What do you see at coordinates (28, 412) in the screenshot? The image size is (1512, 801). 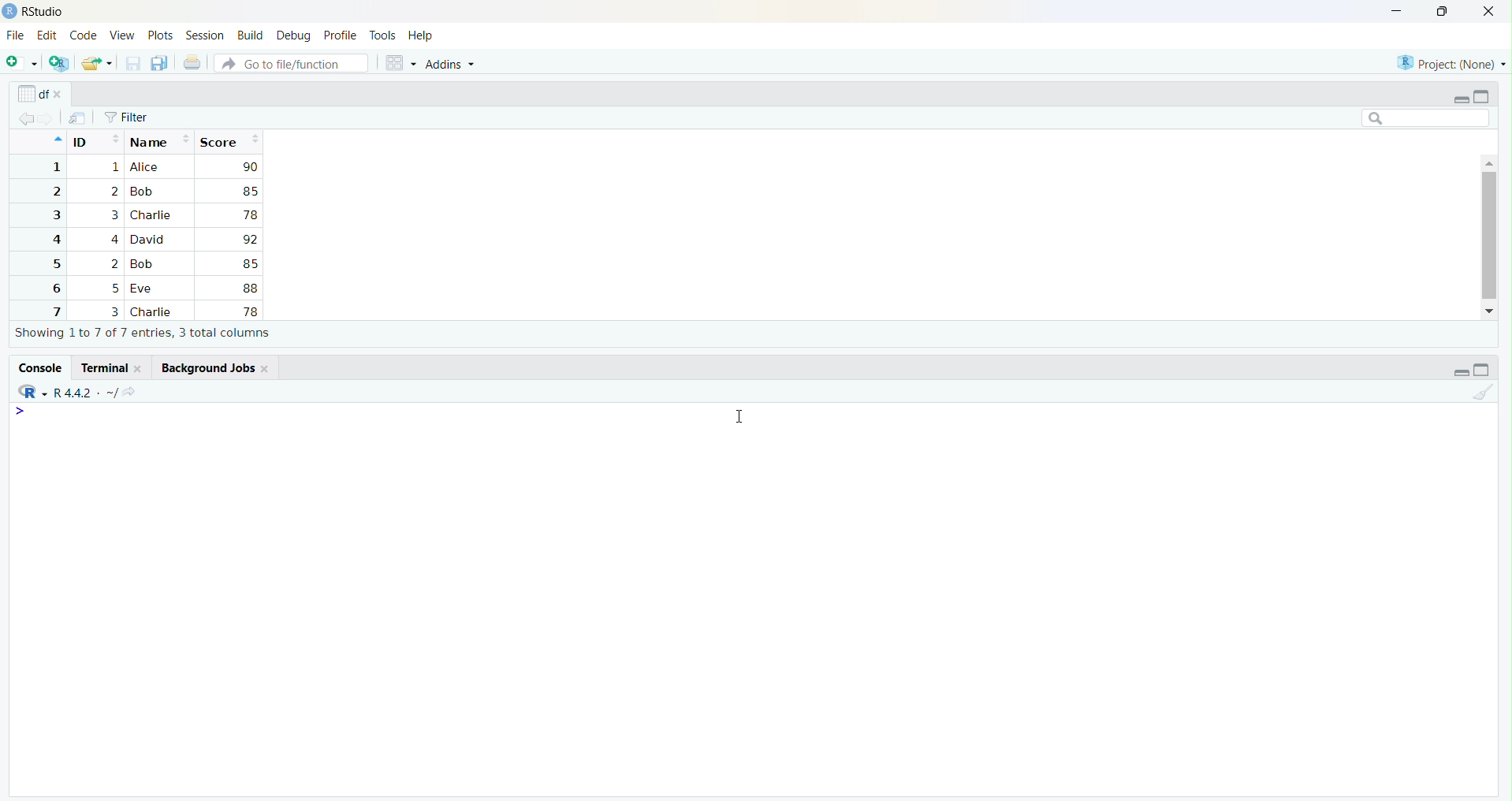 I see `start typing` at bounding box center [28, 412].